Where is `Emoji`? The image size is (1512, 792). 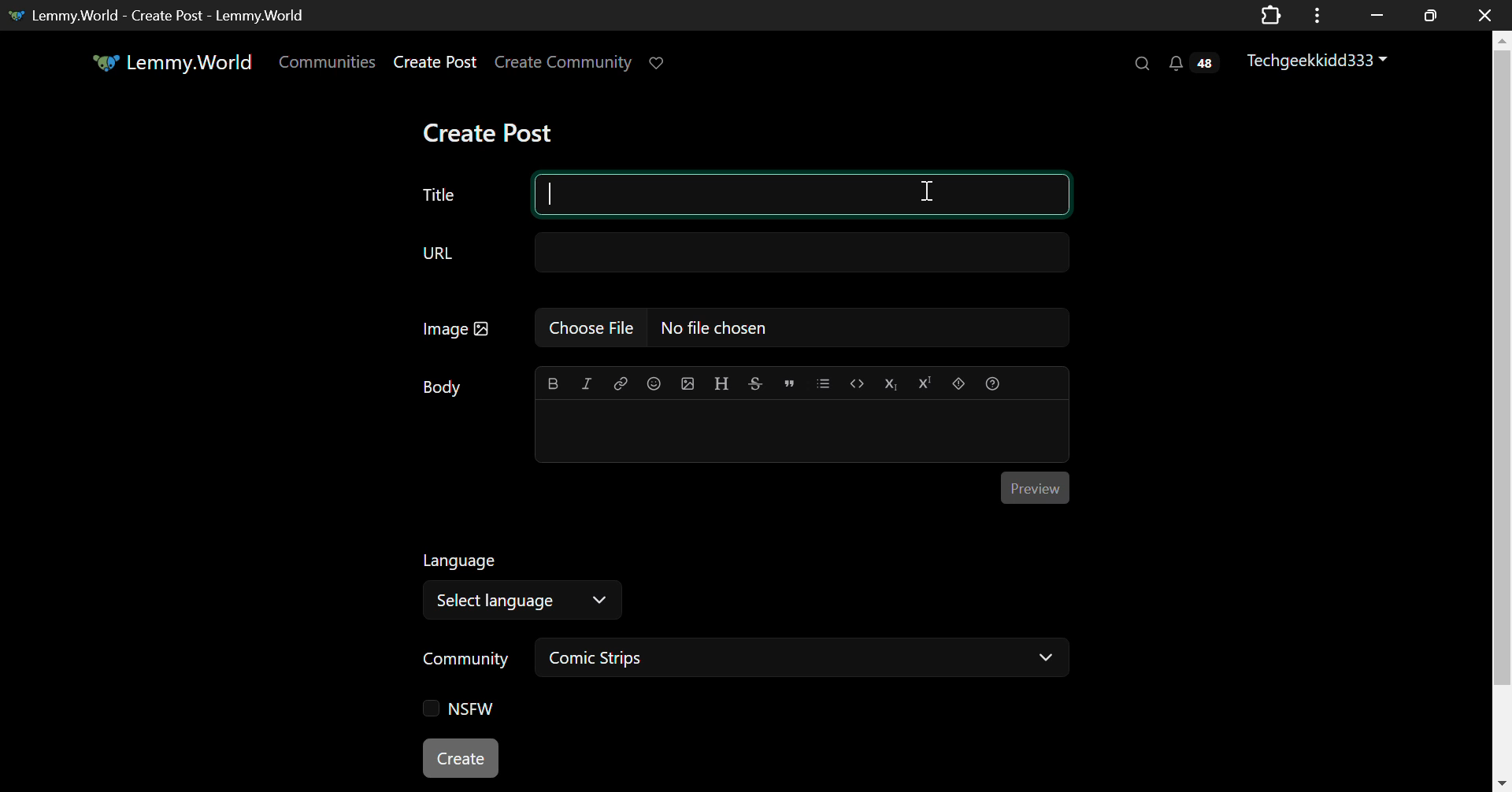
Emoji is located at coordinates (654, 384).